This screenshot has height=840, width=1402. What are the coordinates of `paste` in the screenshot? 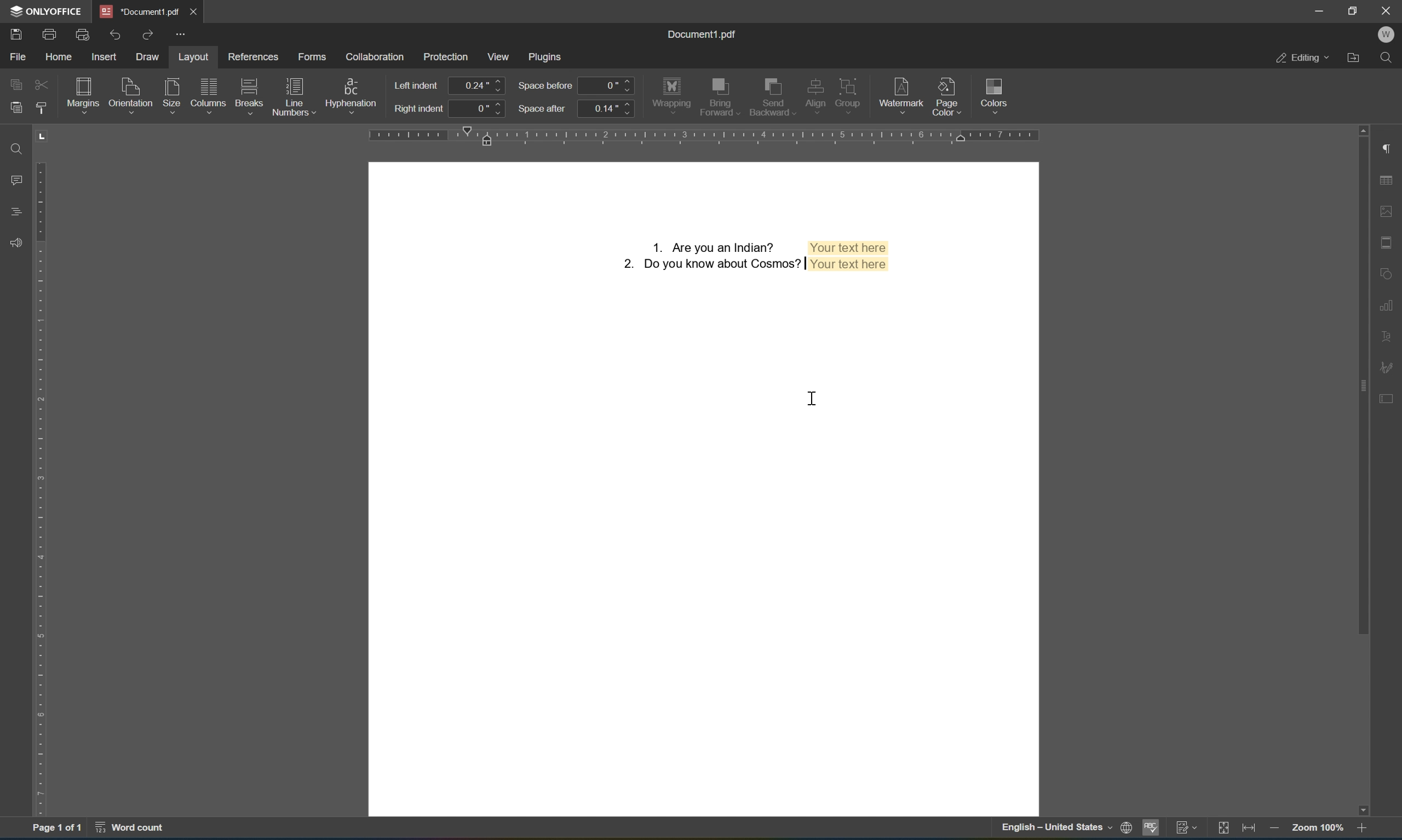 It's located at (18, 107).